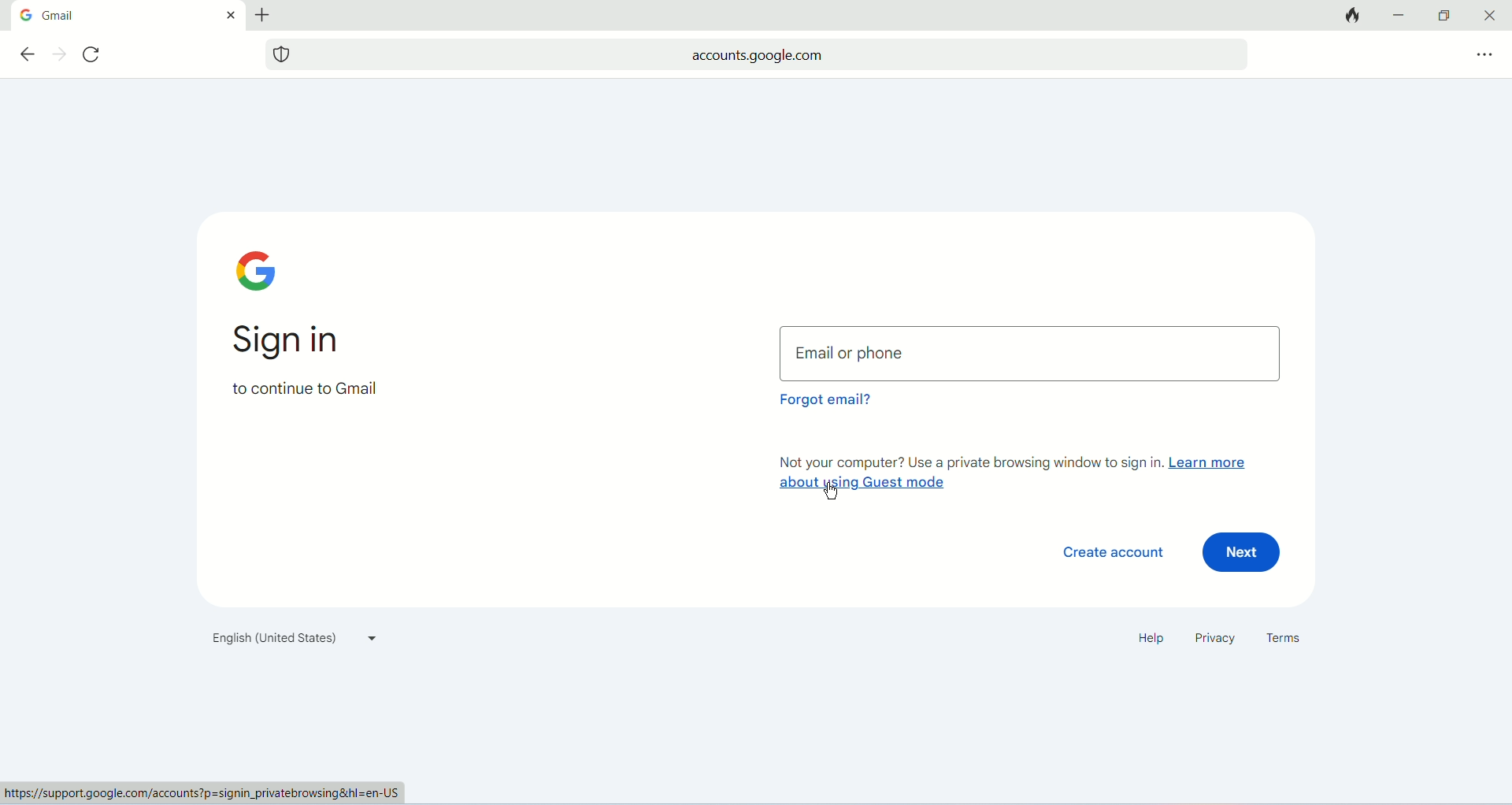 The image size is (1512, 805). Describe the element at coordinates (774, 54) in the screenshot. I see `accounts.google.com` at that location.